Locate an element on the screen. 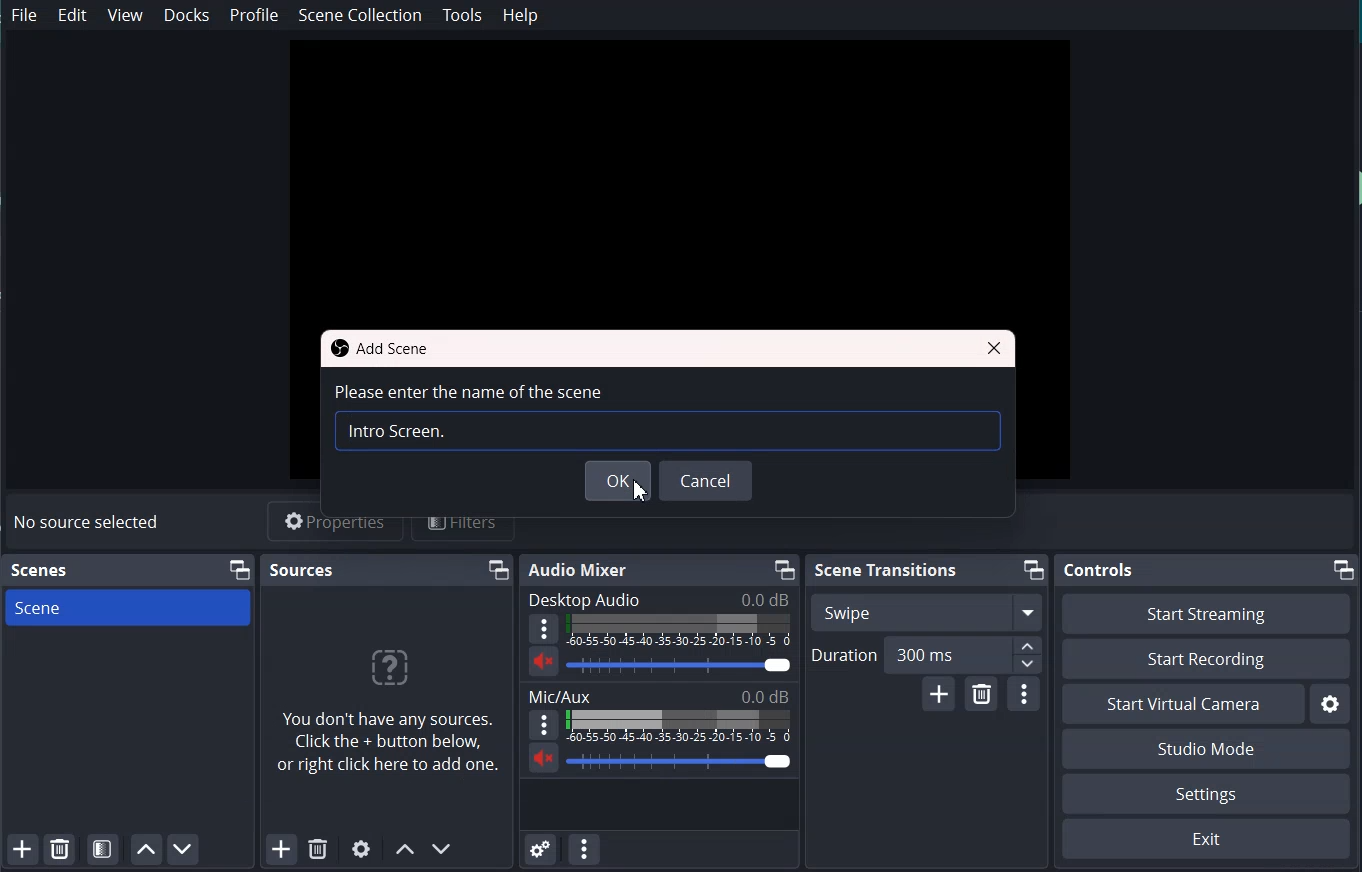 The height and width of the screenshot is (872, 1362). View is located at coordinates (127, 15).